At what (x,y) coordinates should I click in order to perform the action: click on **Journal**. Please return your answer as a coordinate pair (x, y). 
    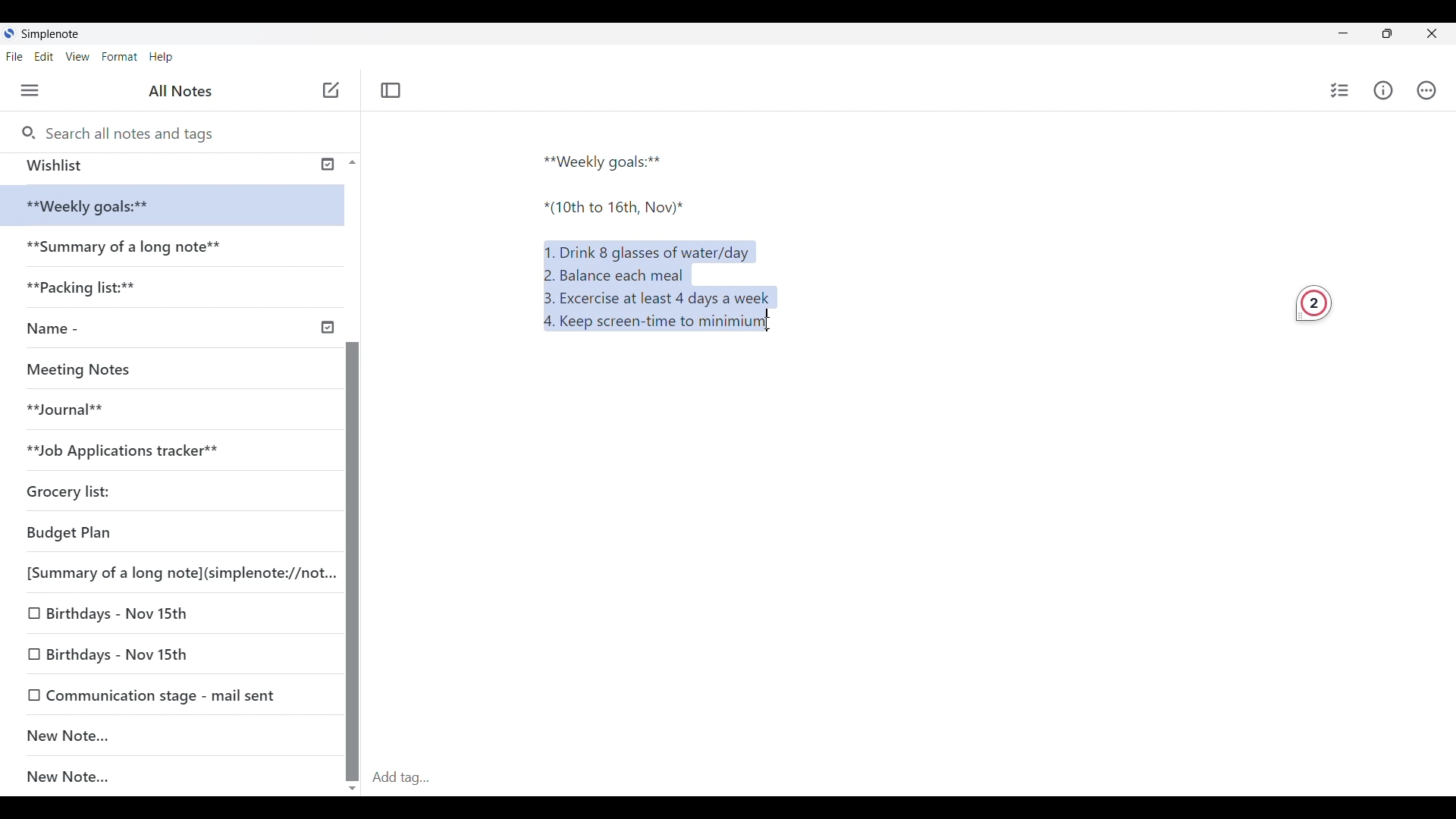
    Looking at the image, I should click on (73, 407).